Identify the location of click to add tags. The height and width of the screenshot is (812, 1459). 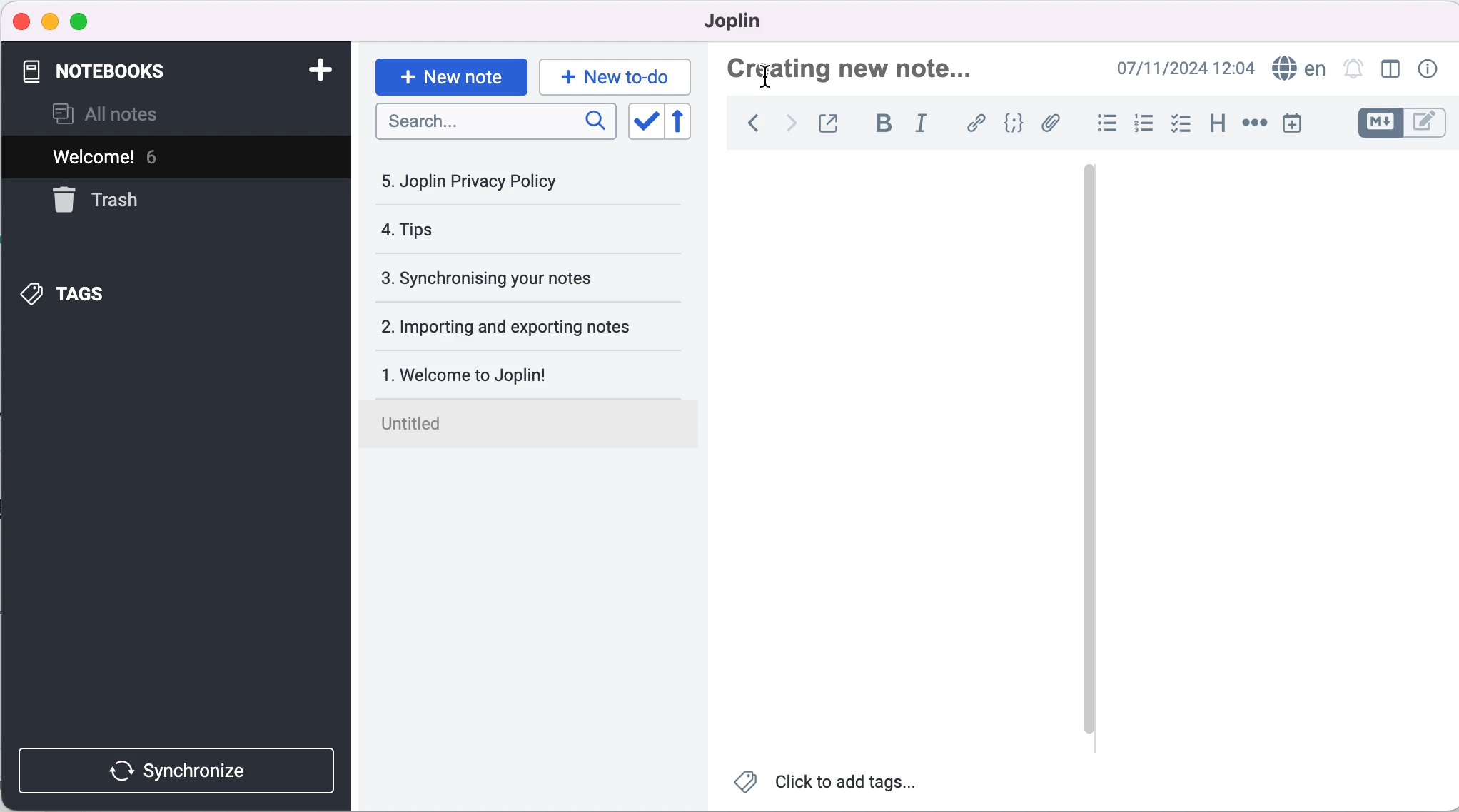
(829, 787).